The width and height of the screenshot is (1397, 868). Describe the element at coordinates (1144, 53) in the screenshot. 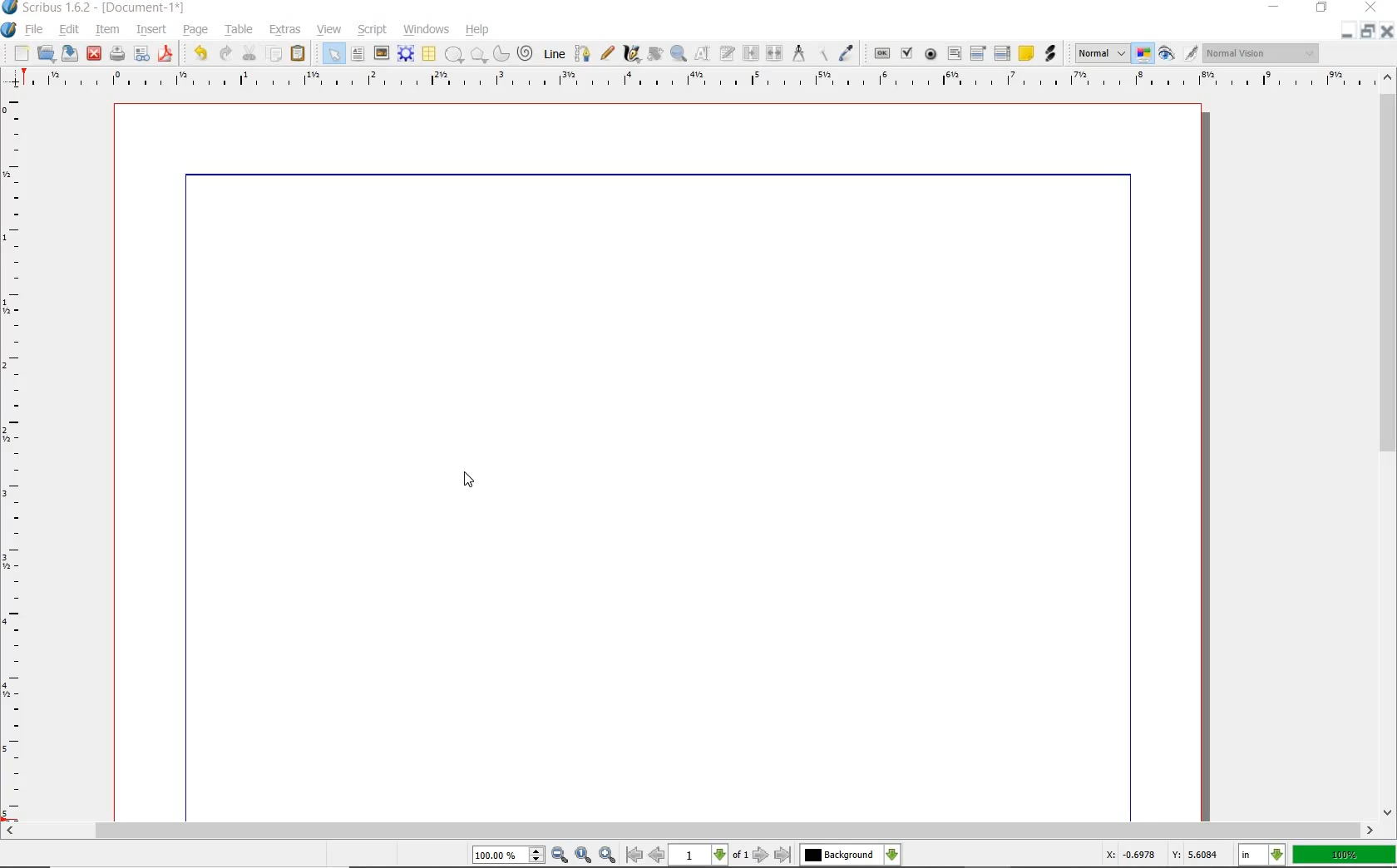

I see `TOGGLE COLOR MANAGEMENT SYSTEM` at that location.